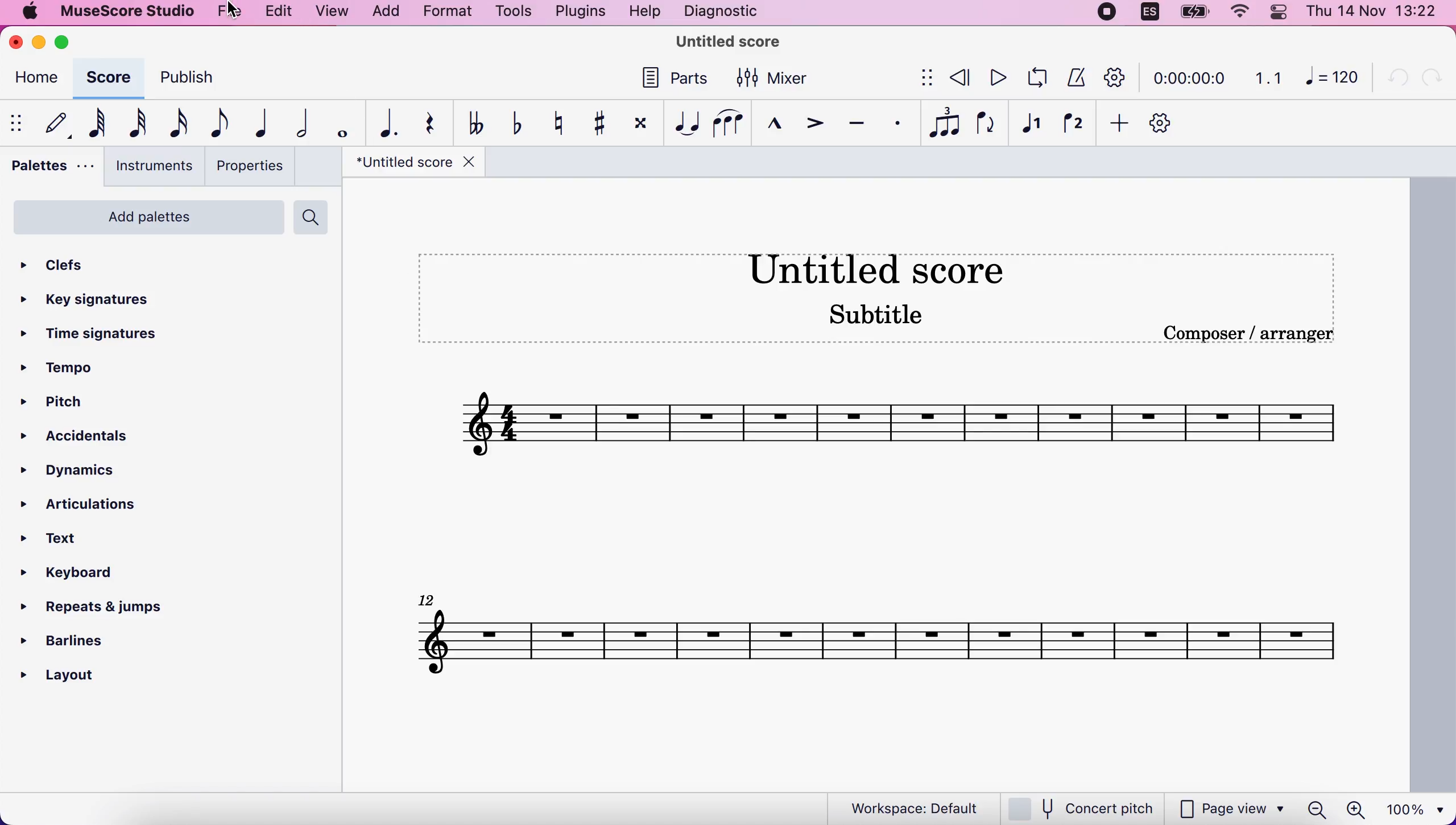 This screenshot has width=1456, height=825. Describe the element at coordinates (249, 168) in the screenshot. I see `properties` at that location.